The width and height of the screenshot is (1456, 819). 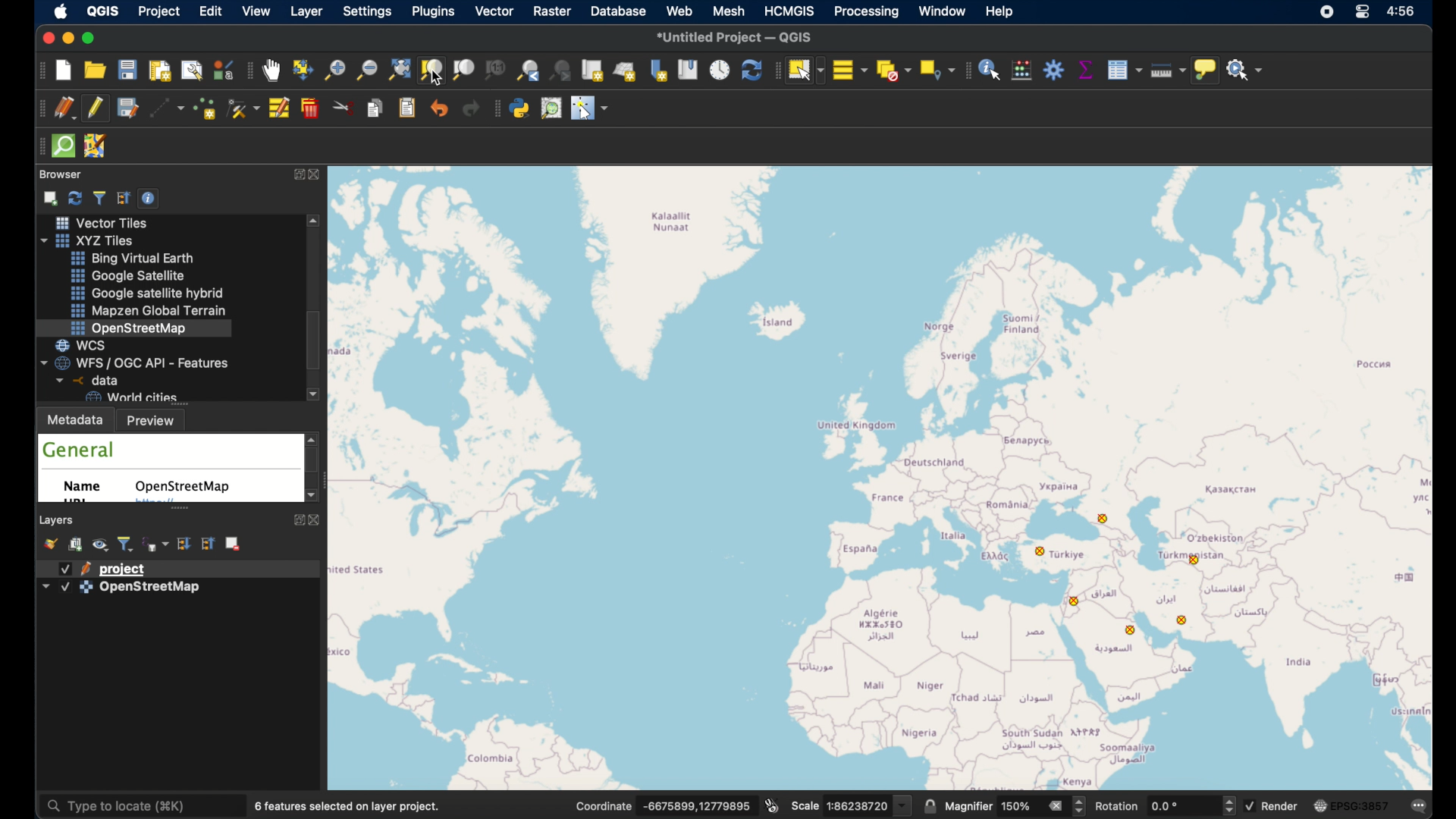 I want to click on coordinate, so click(x=697, y=805).